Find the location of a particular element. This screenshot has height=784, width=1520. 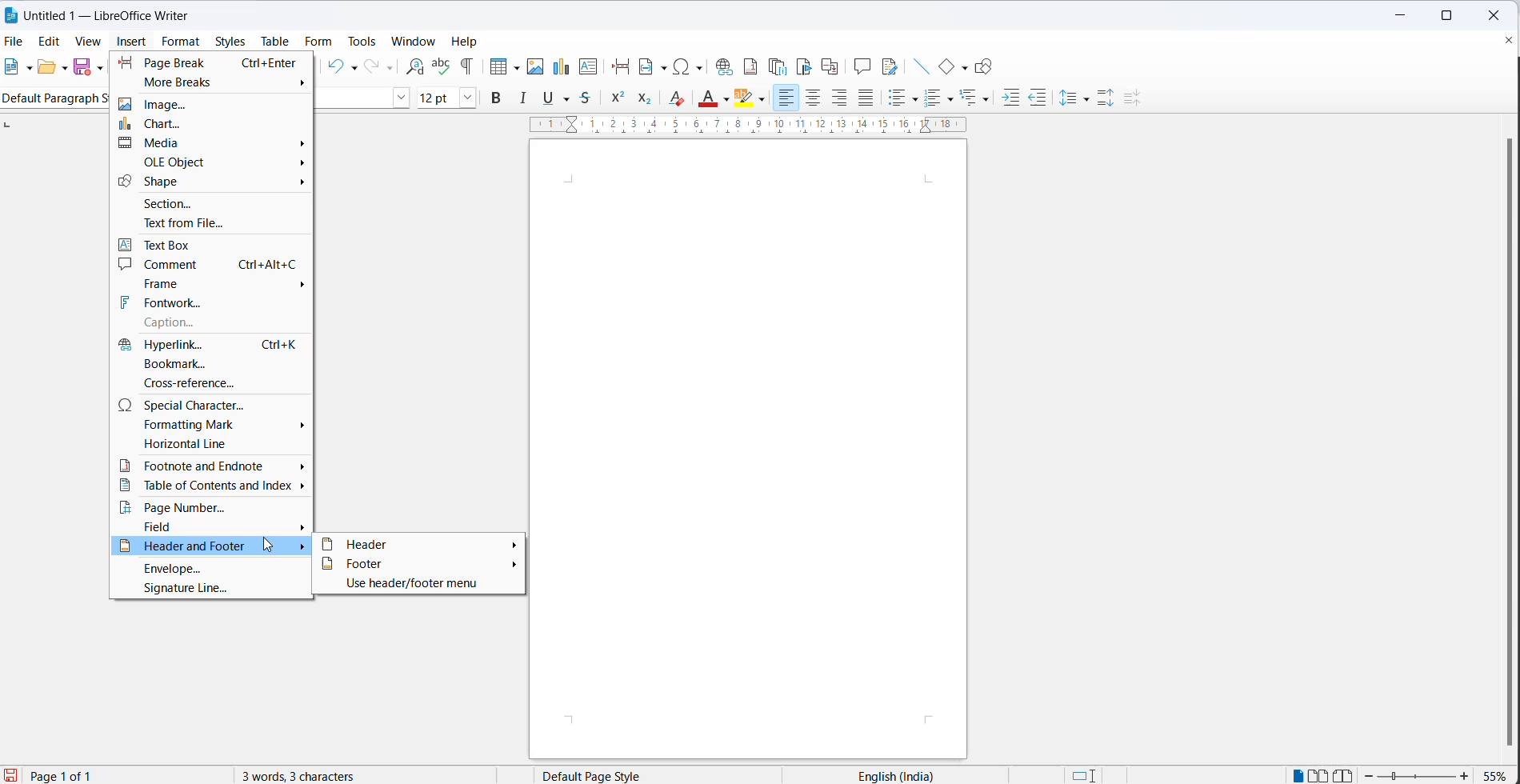

zoom slider is located at coordinates (1417, 777).